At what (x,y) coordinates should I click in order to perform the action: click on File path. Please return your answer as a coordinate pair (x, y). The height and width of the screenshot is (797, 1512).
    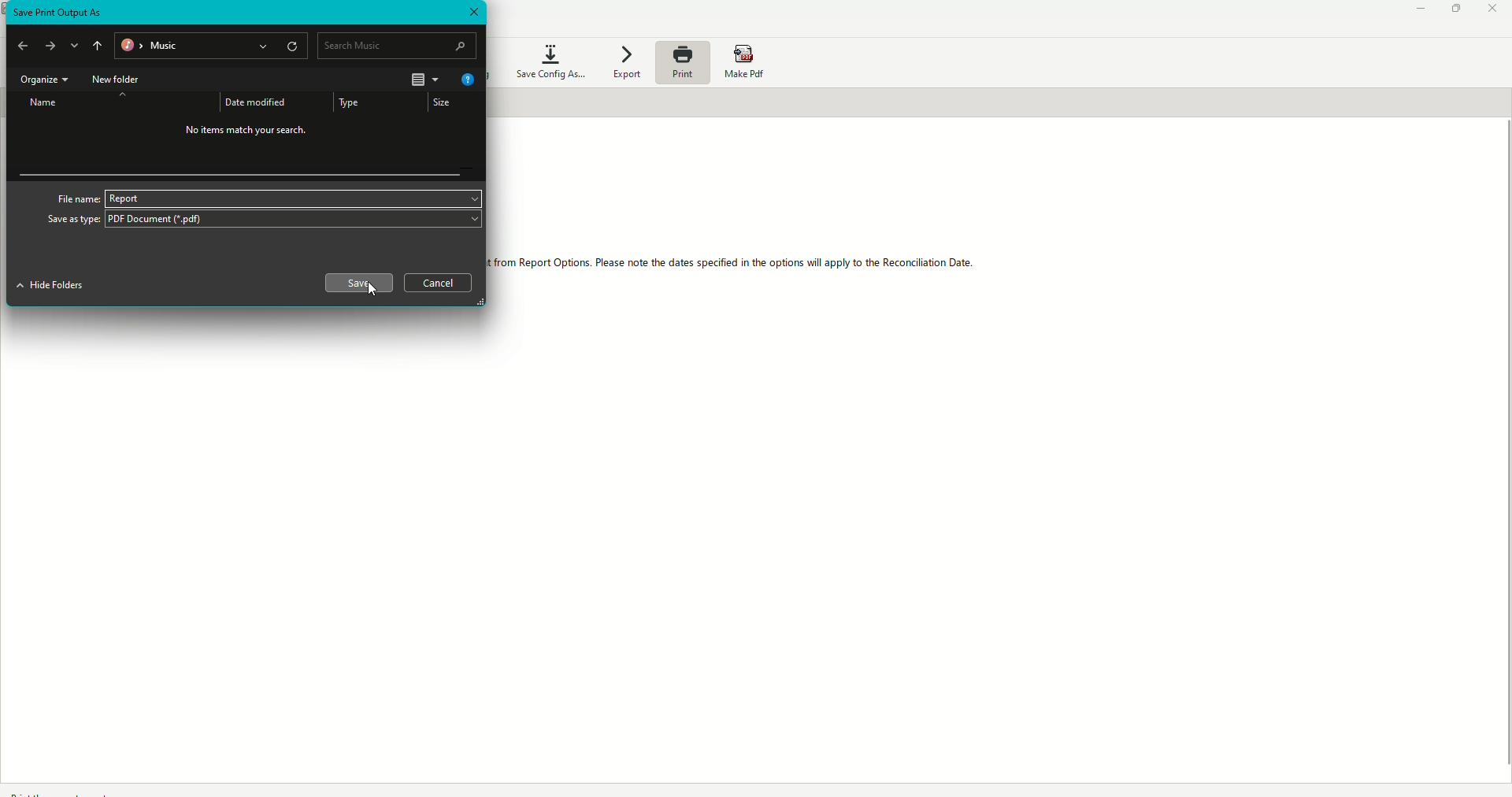
    Looking at the image, I should click on (209, 45).